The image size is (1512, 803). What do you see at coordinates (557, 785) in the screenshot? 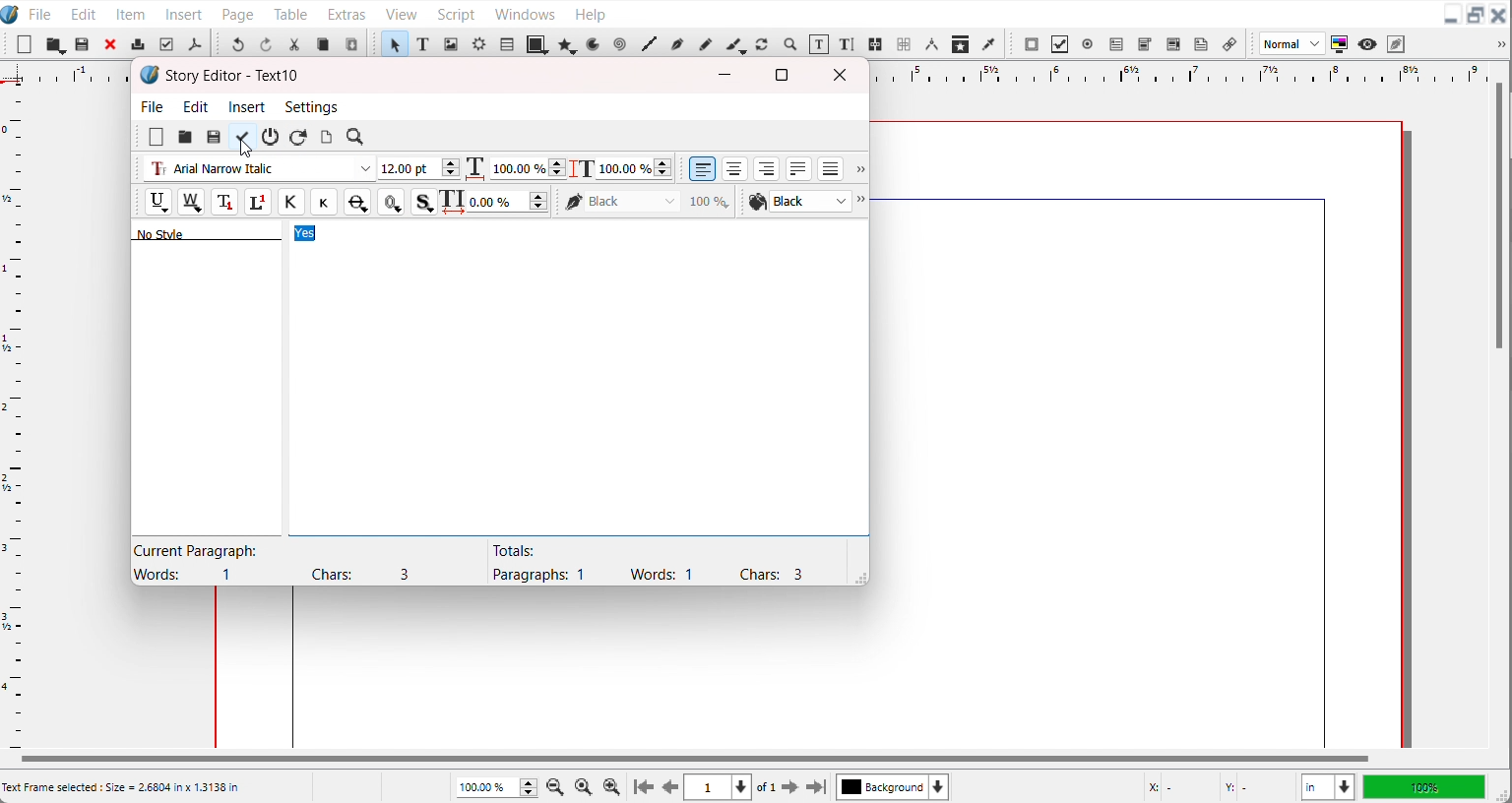
I see `Zoom Out` at bounding box center [557, 785].